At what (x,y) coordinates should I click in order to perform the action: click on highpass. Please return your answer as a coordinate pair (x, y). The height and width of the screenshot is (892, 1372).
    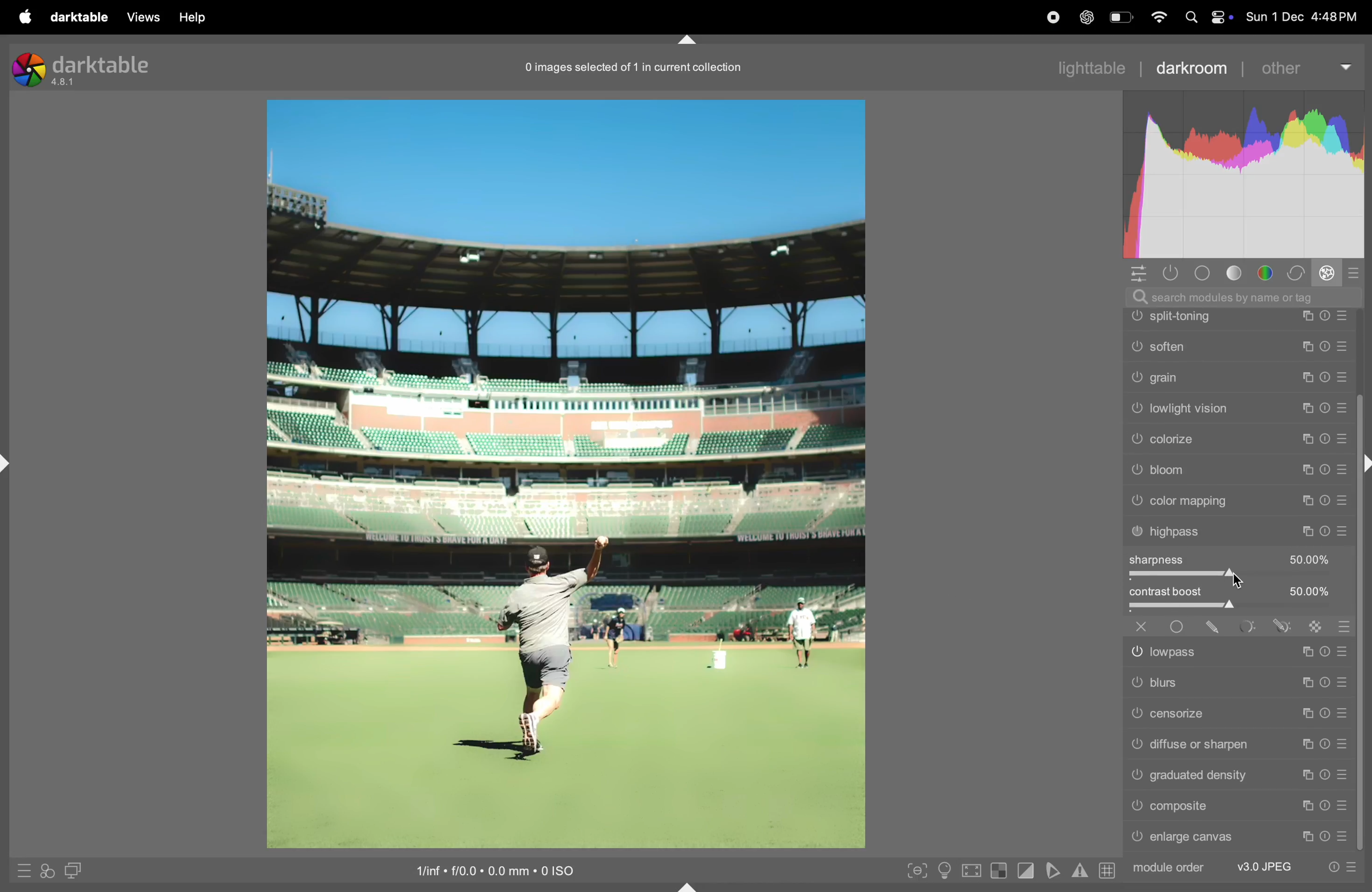
    Looking at the image, I should click on (1239, 619).